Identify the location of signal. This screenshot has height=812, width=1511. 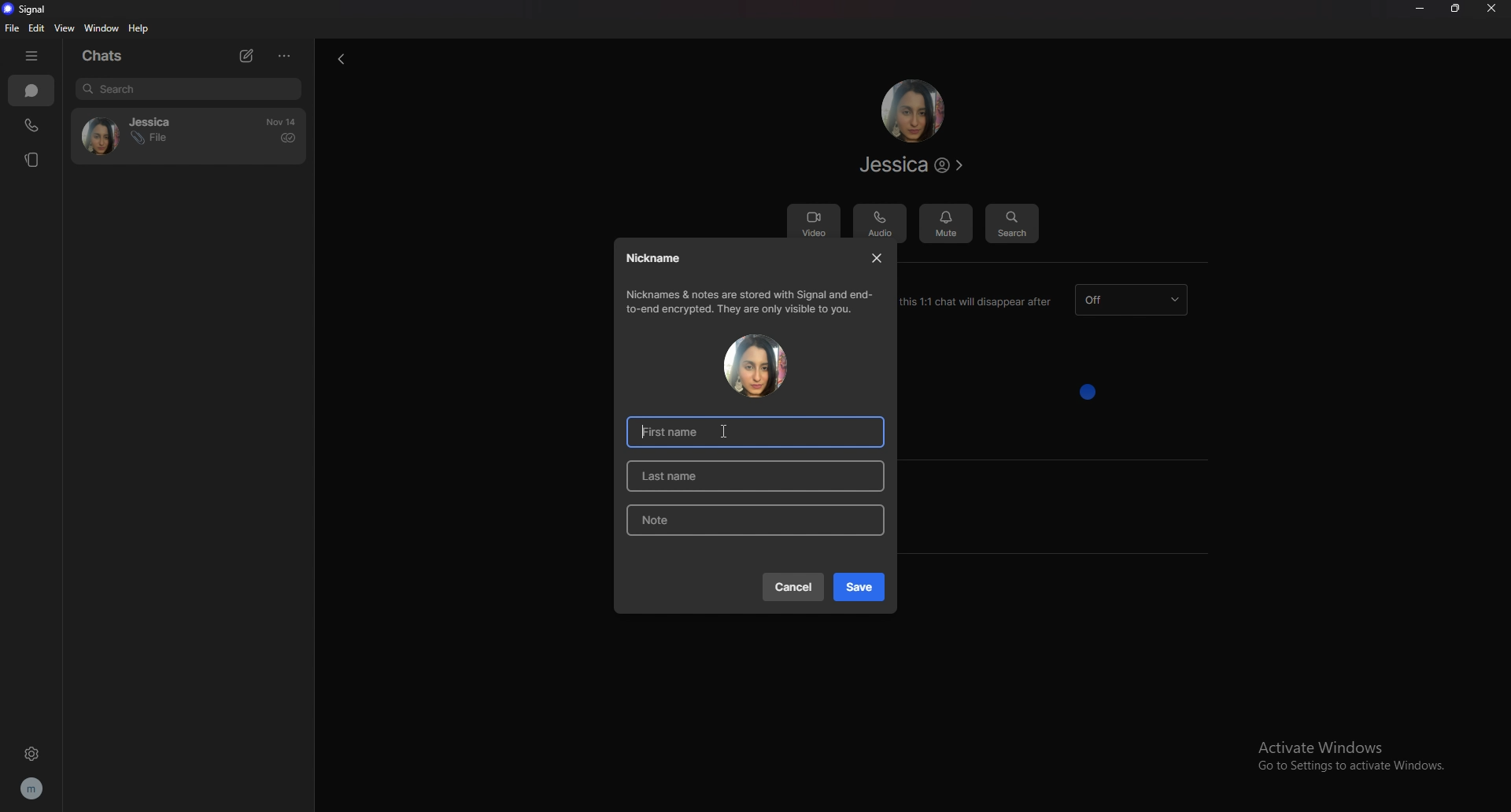
(26, 9).